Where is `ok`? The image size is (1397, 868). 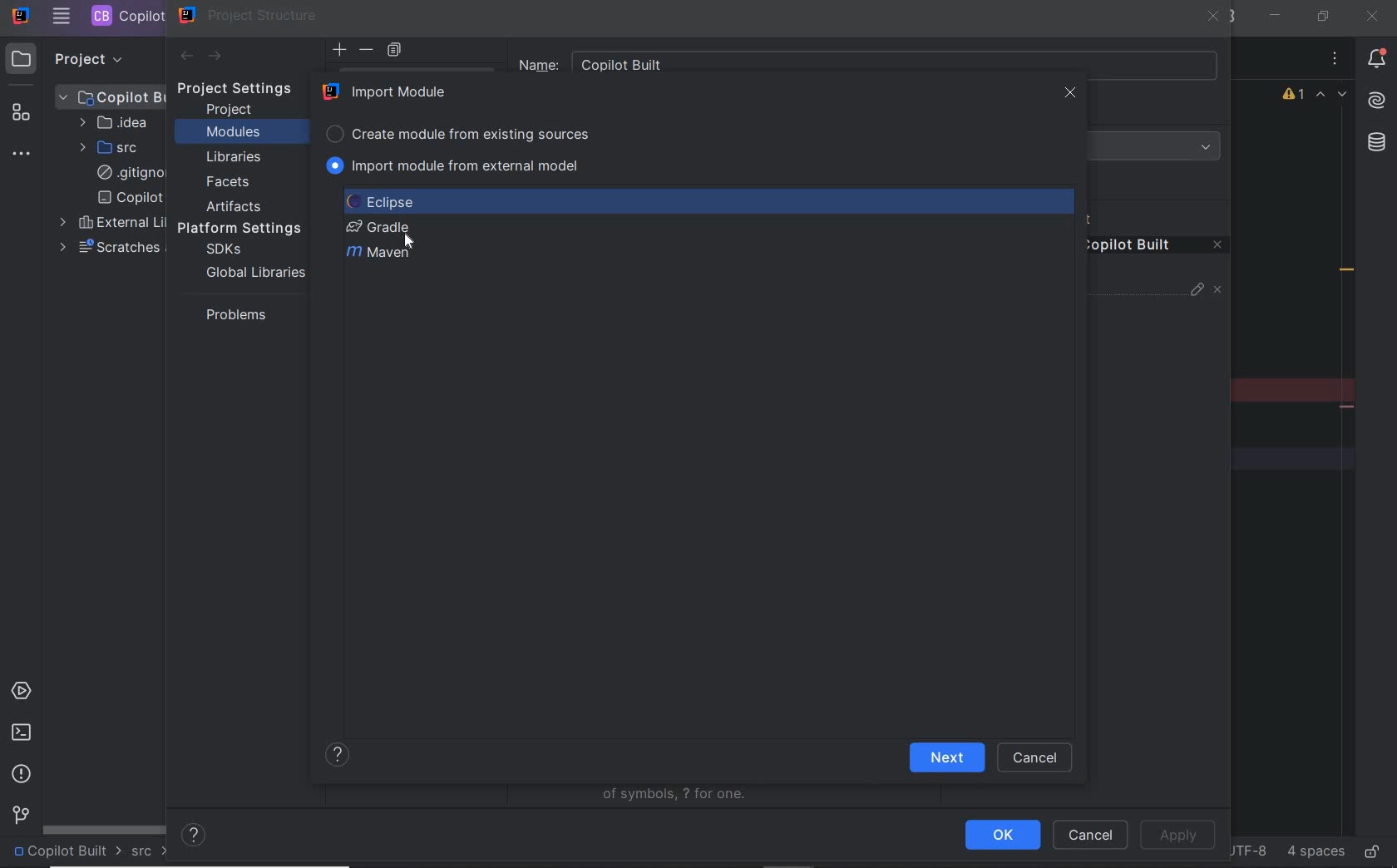
ok is located at coordinates (1002, 835).